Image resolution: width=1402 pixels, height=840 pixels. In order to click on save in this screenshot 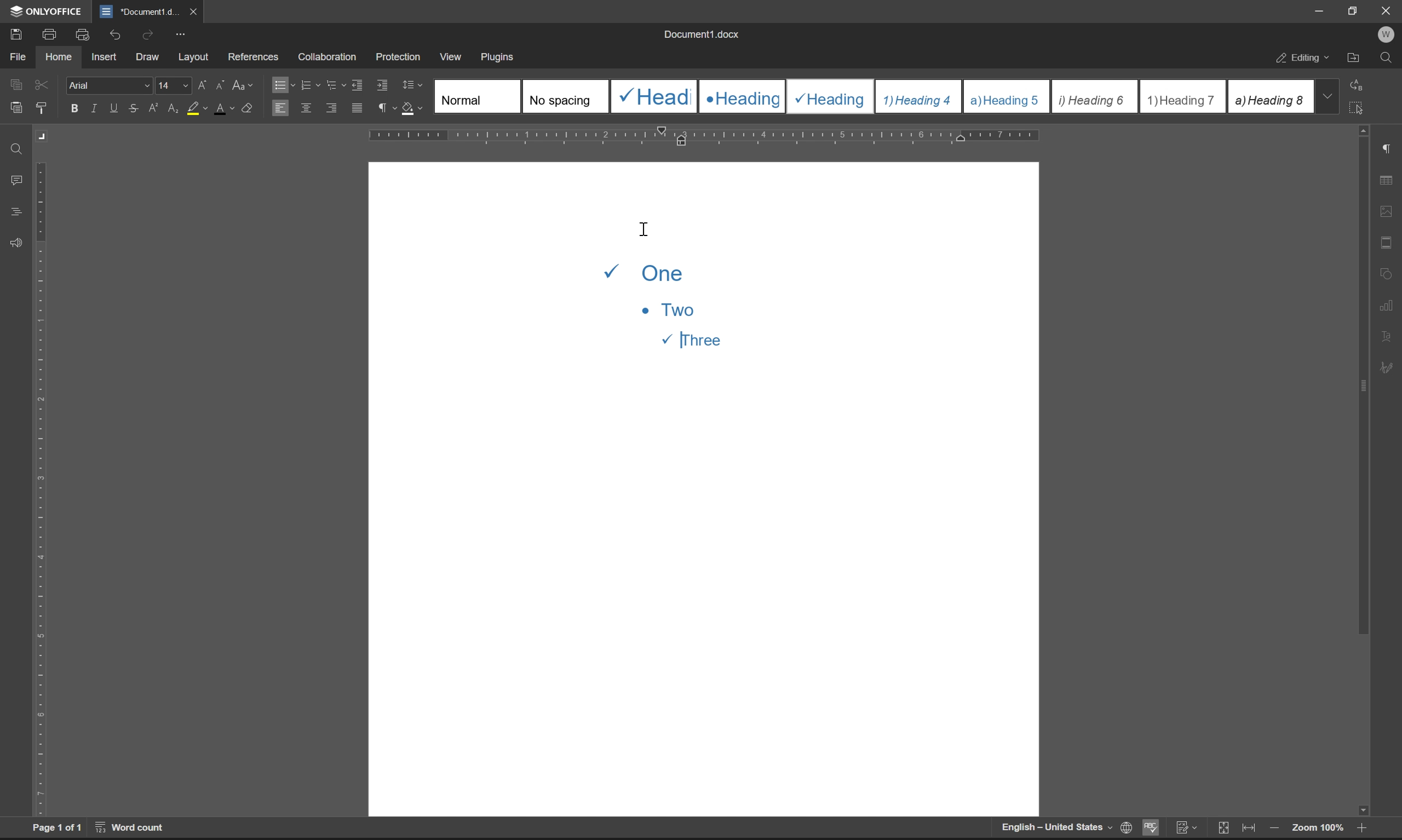, I will do `click(12, 33)`.